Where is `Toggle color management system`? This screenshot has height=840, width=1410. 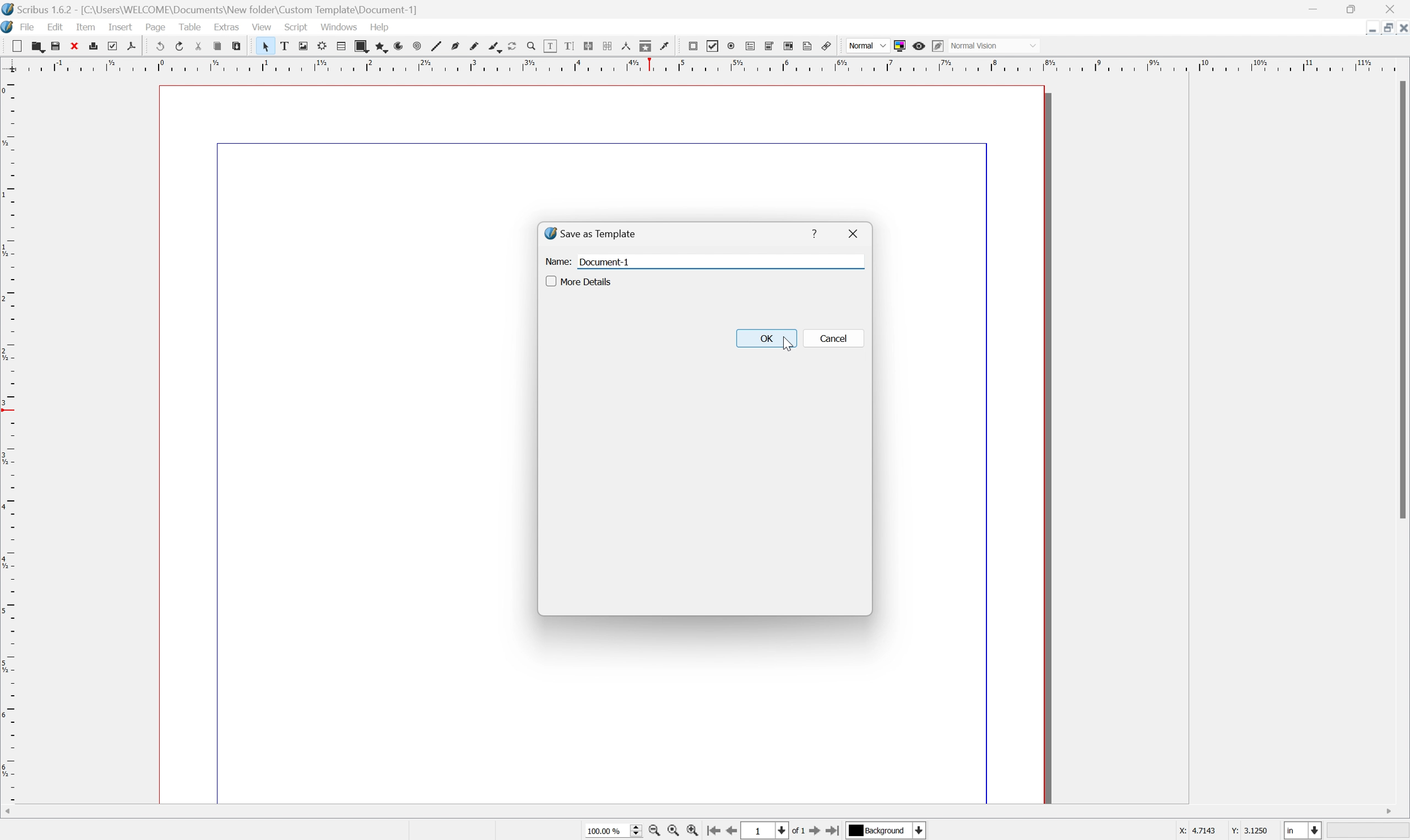 Toggle color management system is located at coordinates (901, 45).